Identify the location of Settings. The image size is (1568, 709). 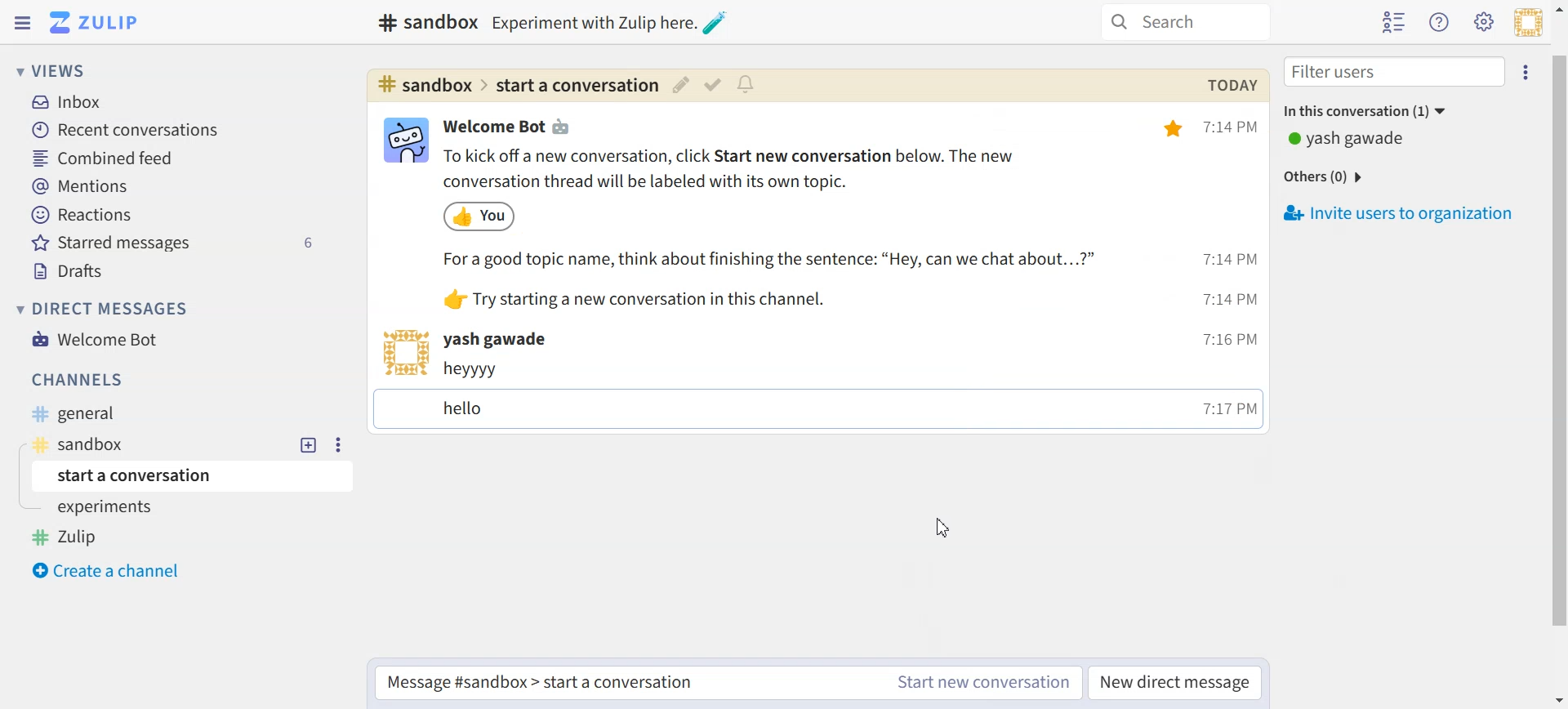
(336, 444).